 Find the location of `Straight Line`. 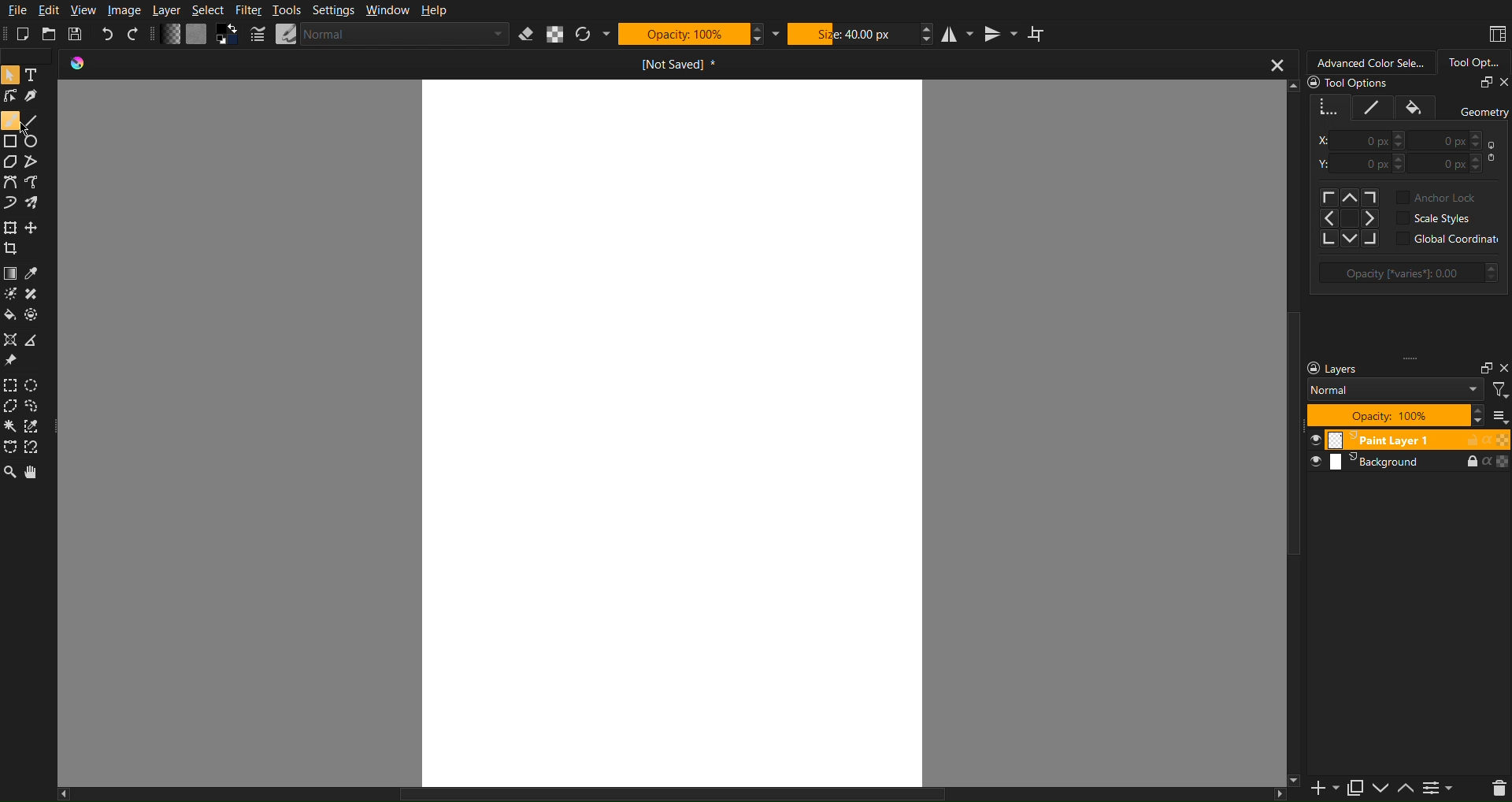

Straight Line is located at coordinates (37, 162).